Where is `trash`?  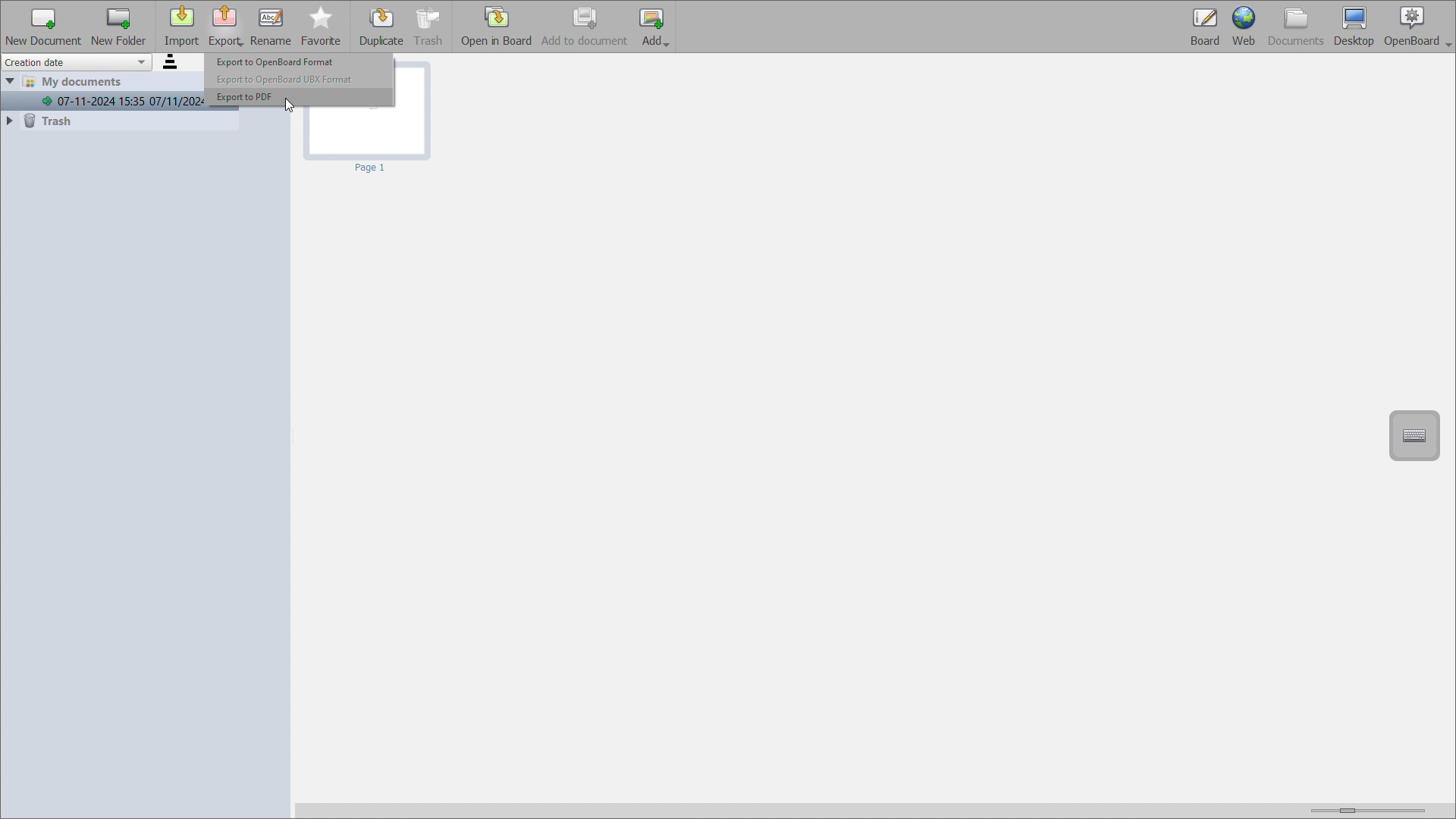
trash is located at coordinates (430, 27).